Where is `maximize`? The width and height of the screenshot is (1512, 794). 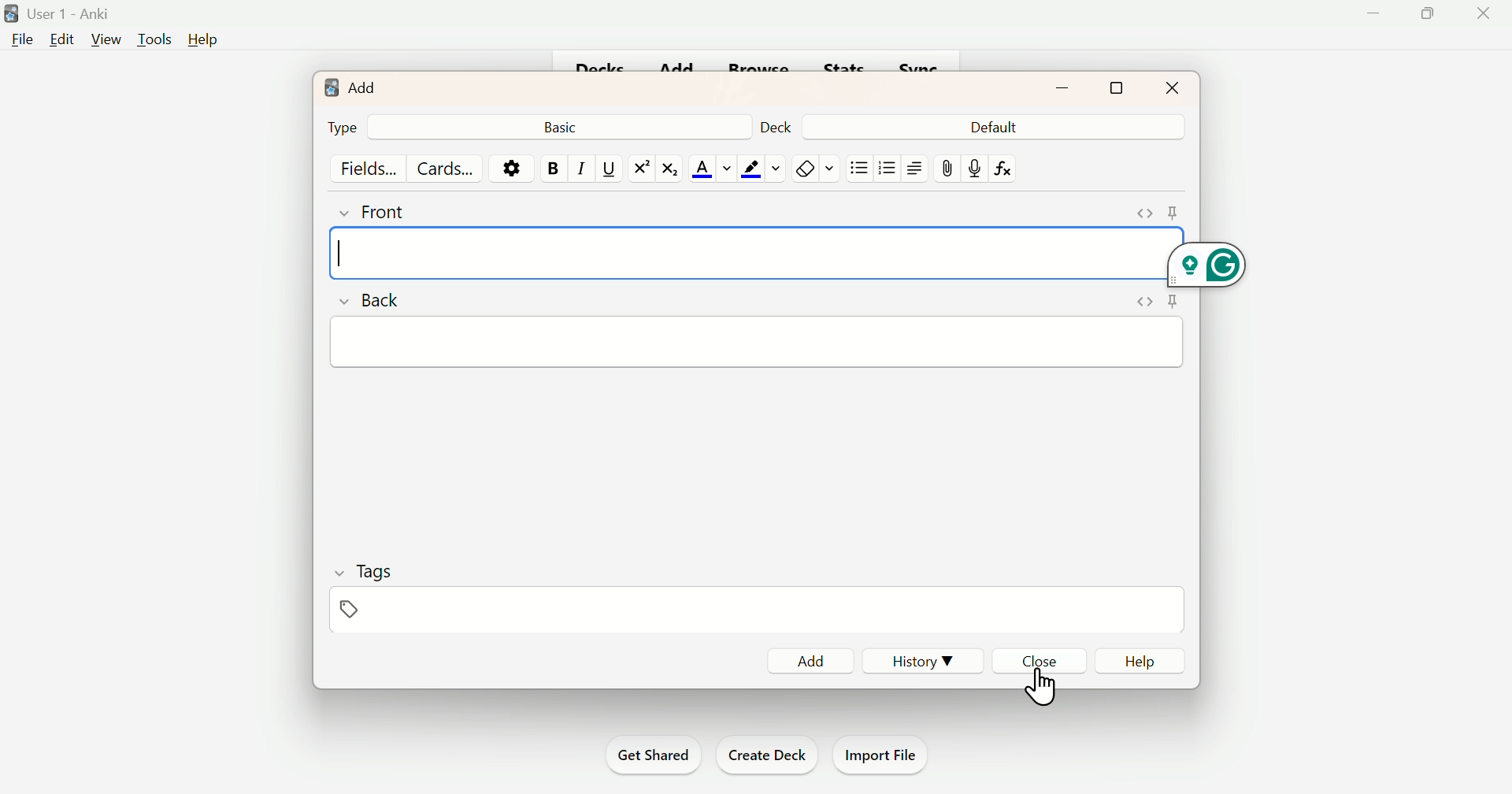
maximize is located at coordinates (1115, 89).